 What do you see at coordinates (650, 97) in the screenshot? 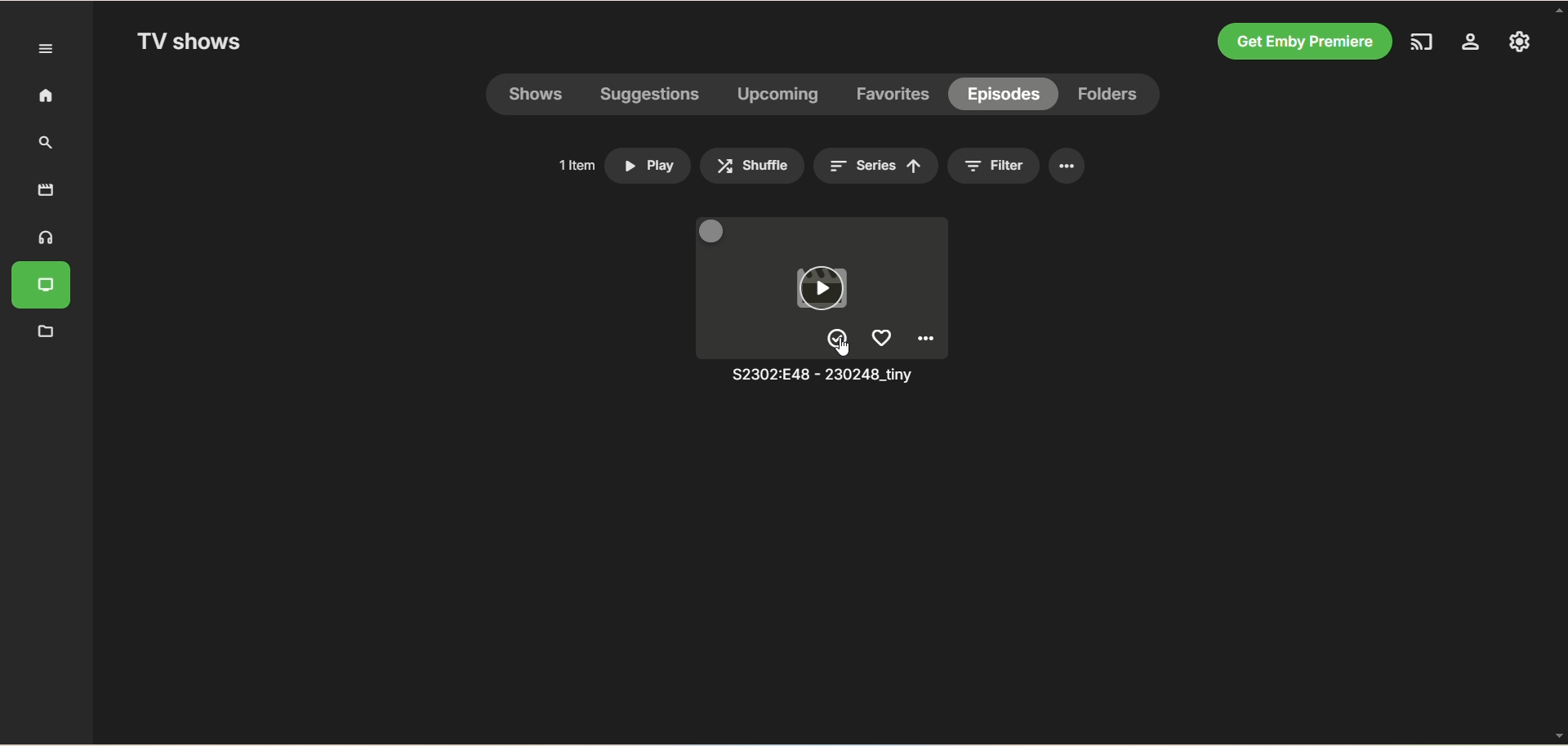
I see `suggestions` at bounding box center [650, 97].